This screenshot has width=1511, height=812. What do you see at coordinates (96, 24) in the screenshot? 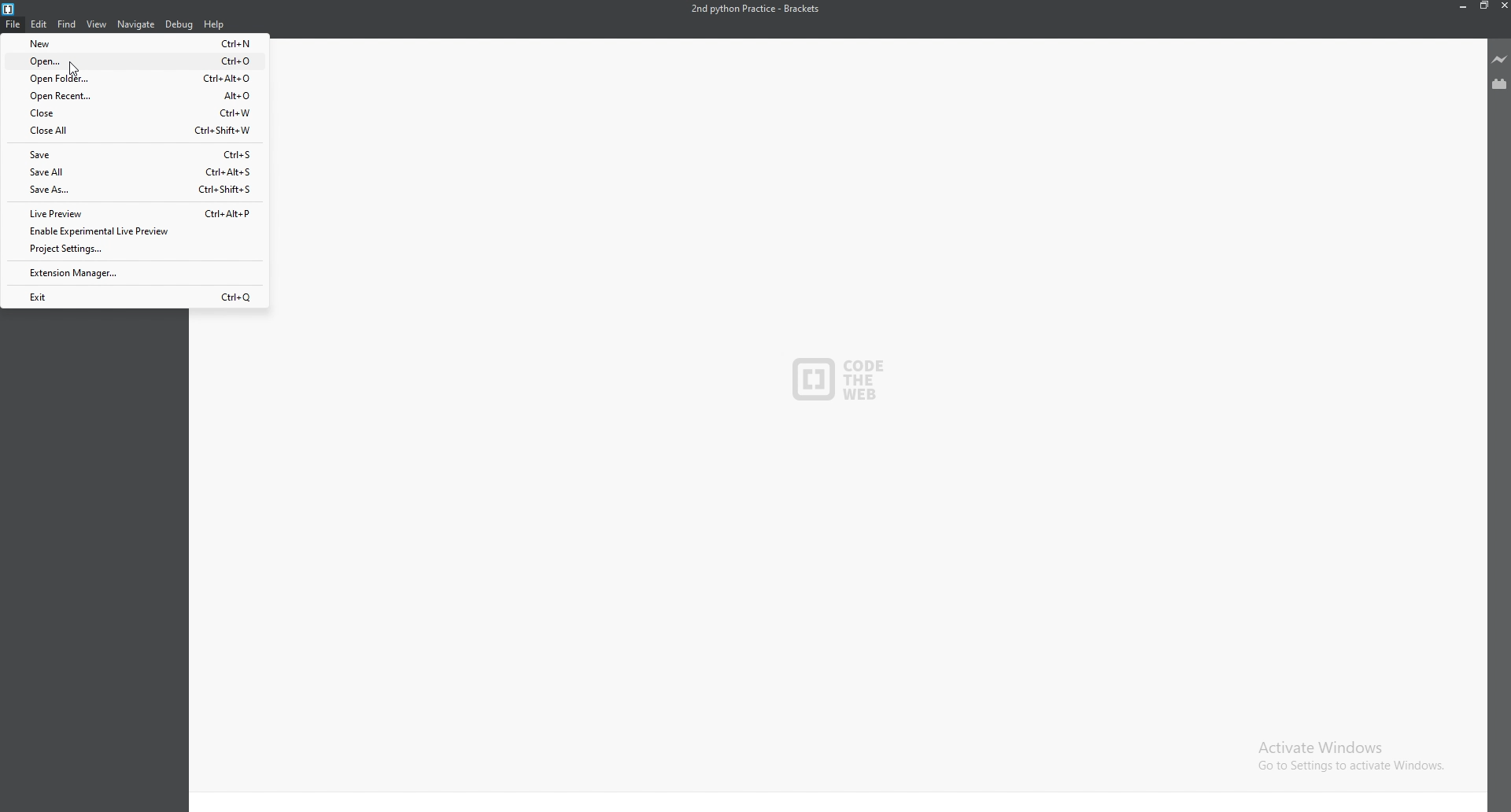
I see `view` at bounding box center [96, 24].